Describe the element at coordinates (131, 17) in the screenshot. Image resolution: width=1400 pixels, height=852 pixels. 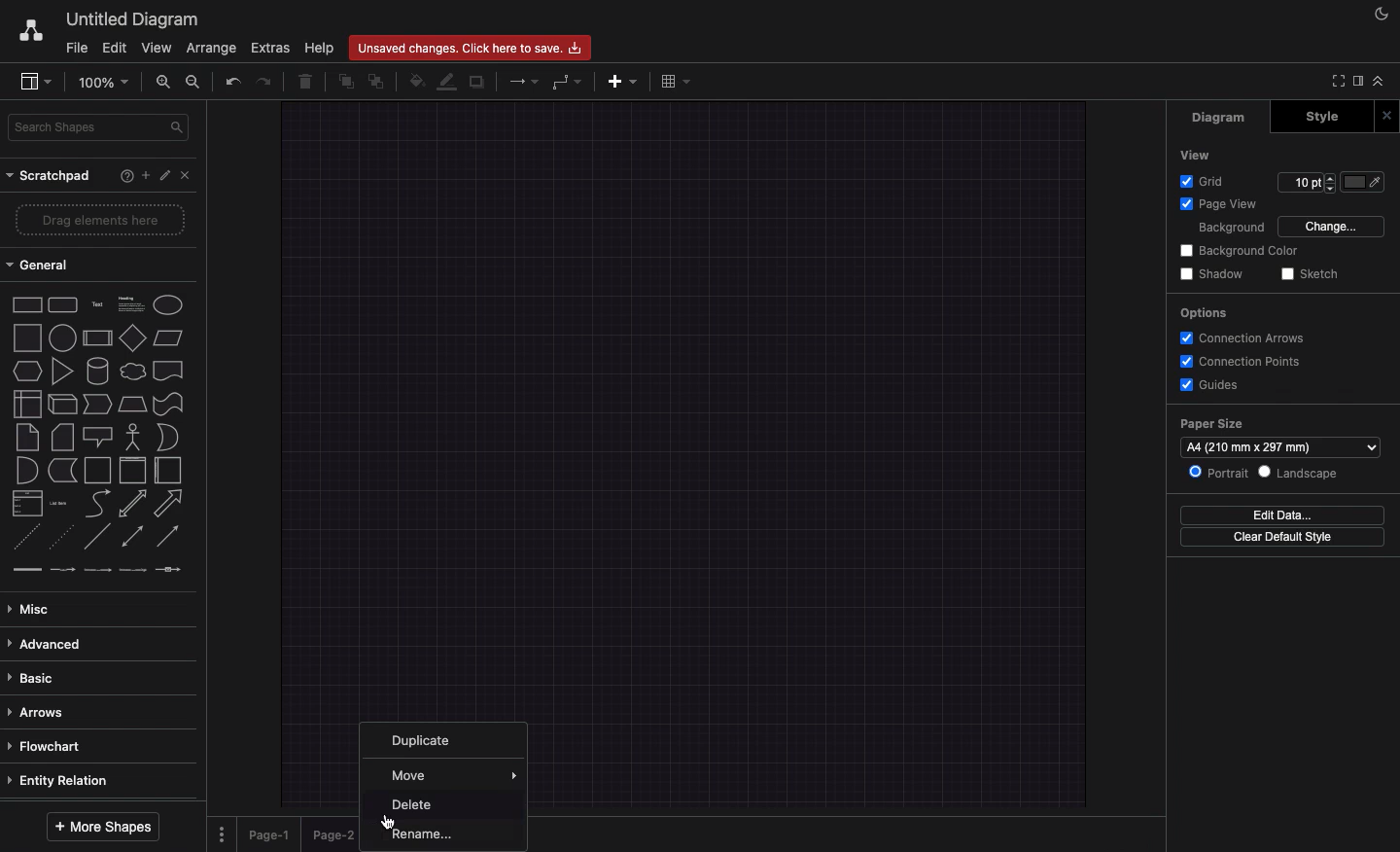
I see `Untitled diagram` at that location.